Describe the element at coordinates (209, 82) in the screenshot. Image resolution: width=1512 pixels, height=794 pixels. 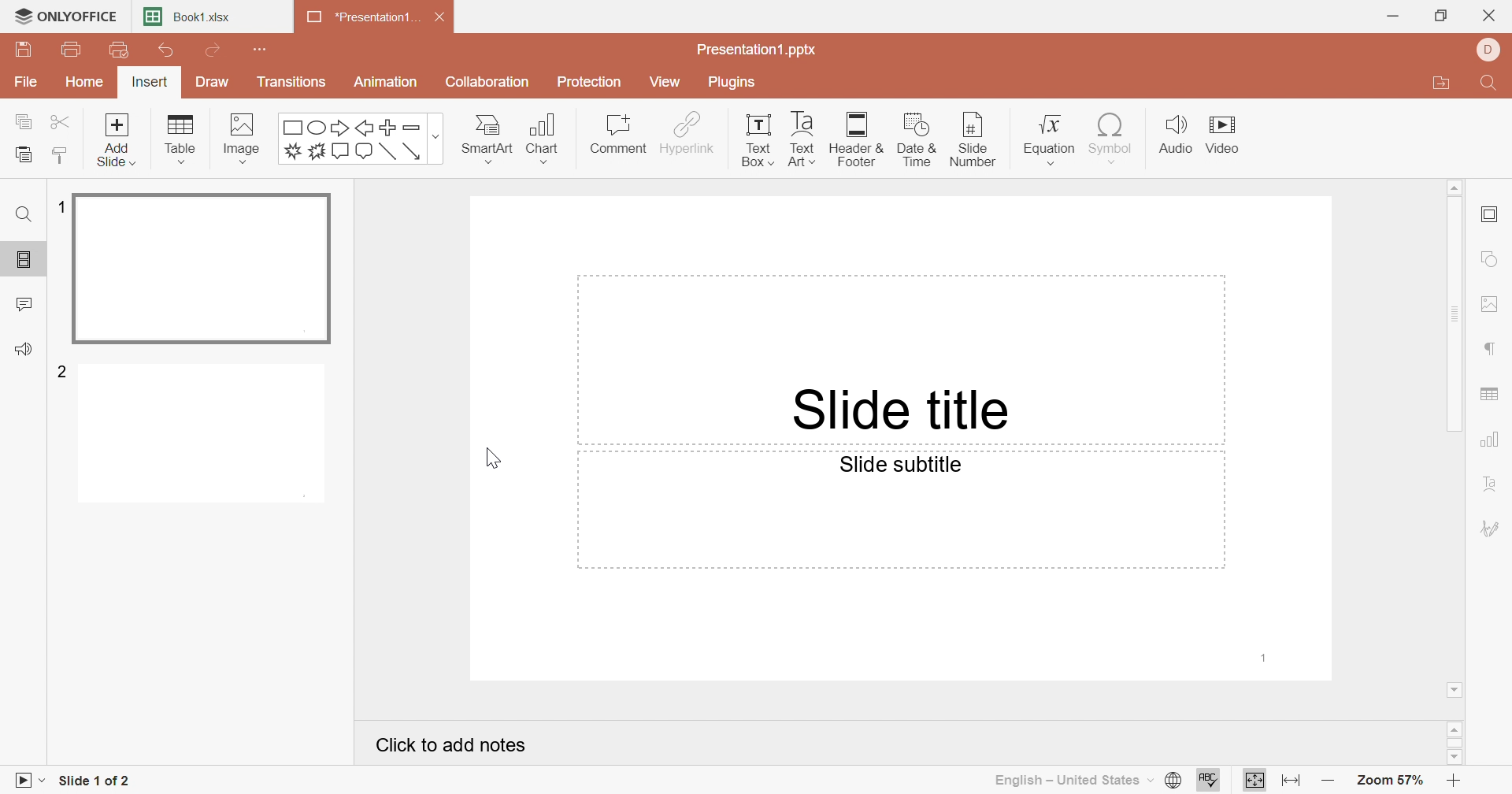
I see `Draw` at that location.